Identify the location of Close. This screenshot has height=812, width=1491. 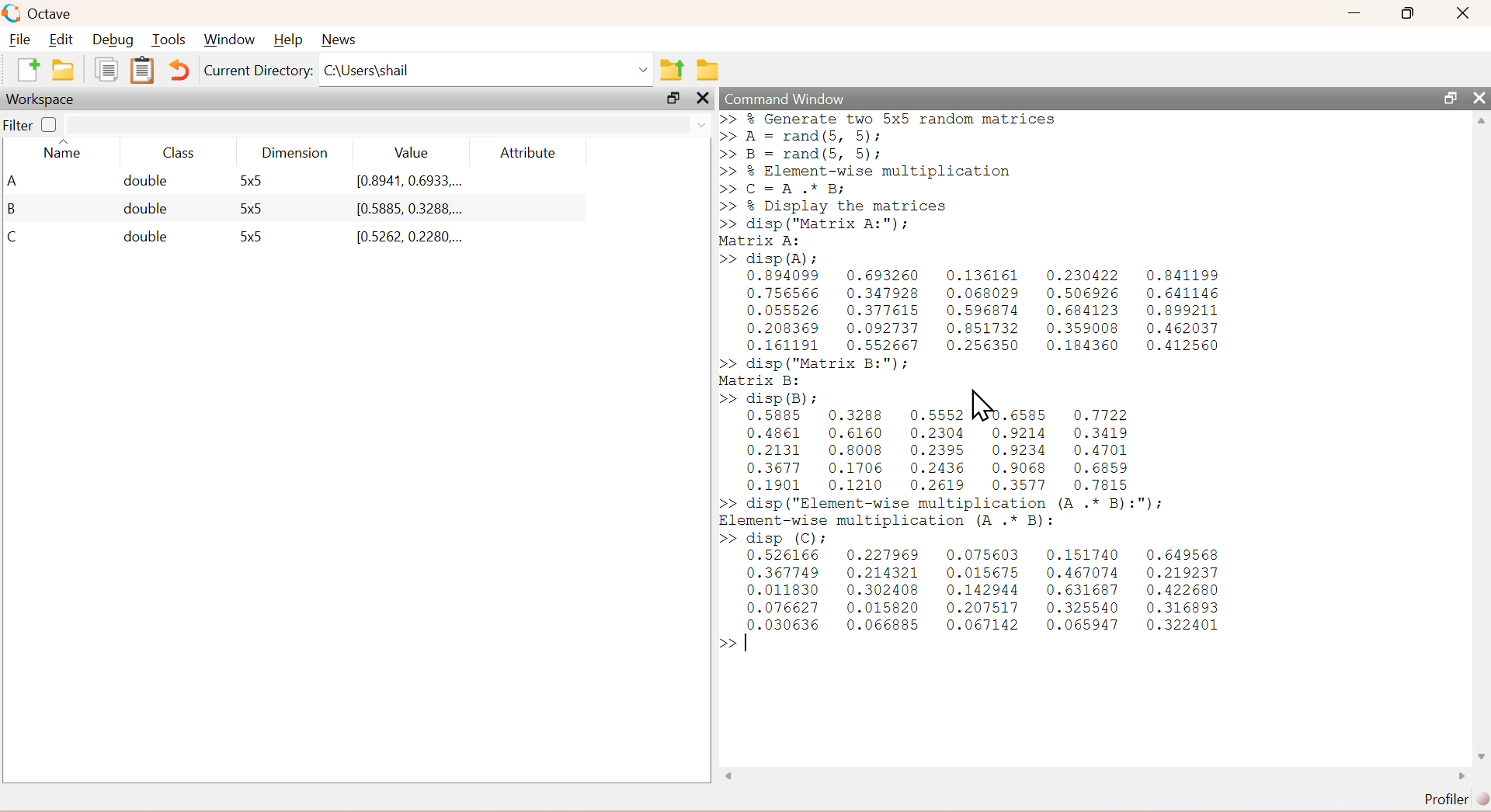
(703, 102).